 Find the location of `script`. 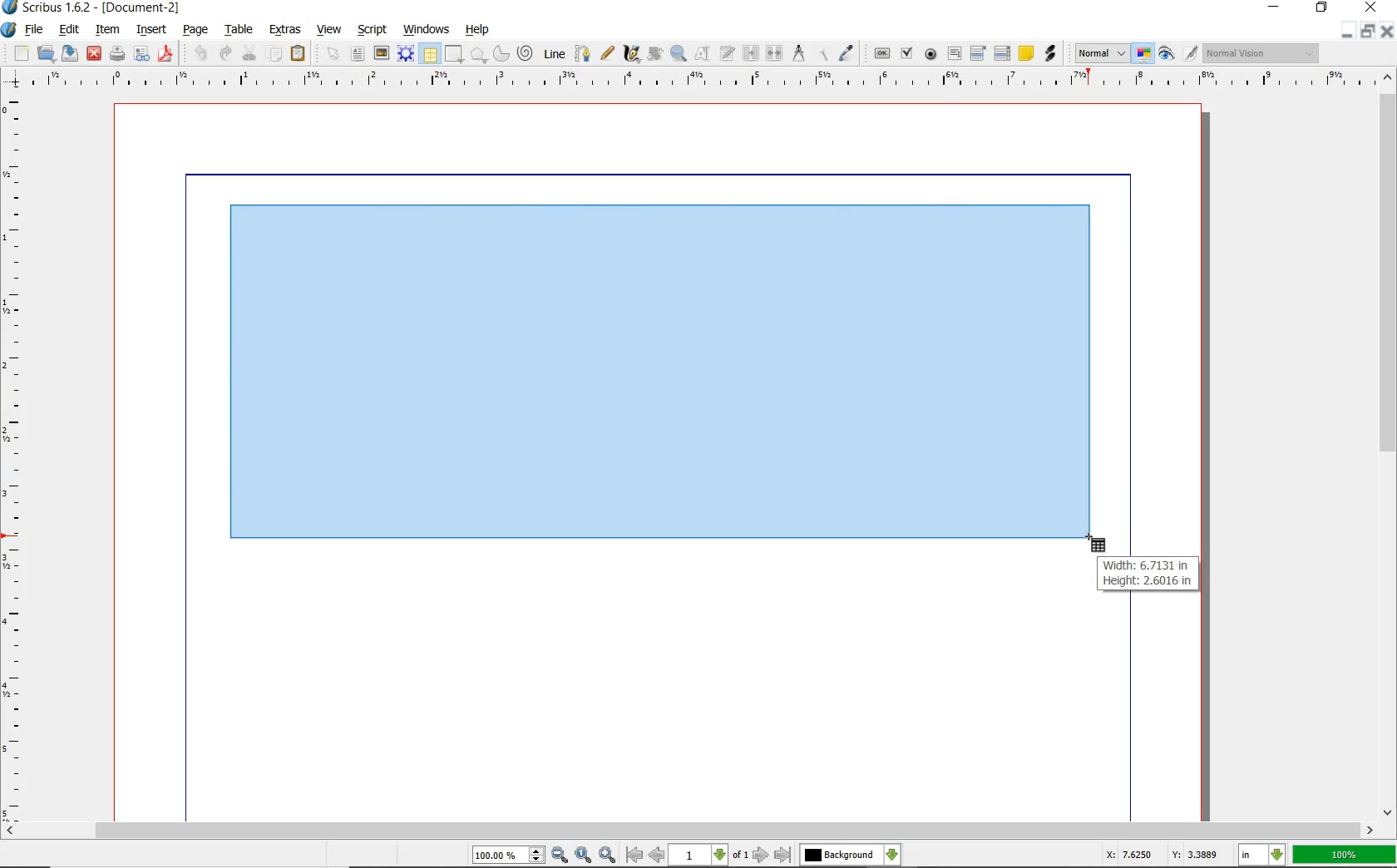

script is located at coordinates (373, 31).